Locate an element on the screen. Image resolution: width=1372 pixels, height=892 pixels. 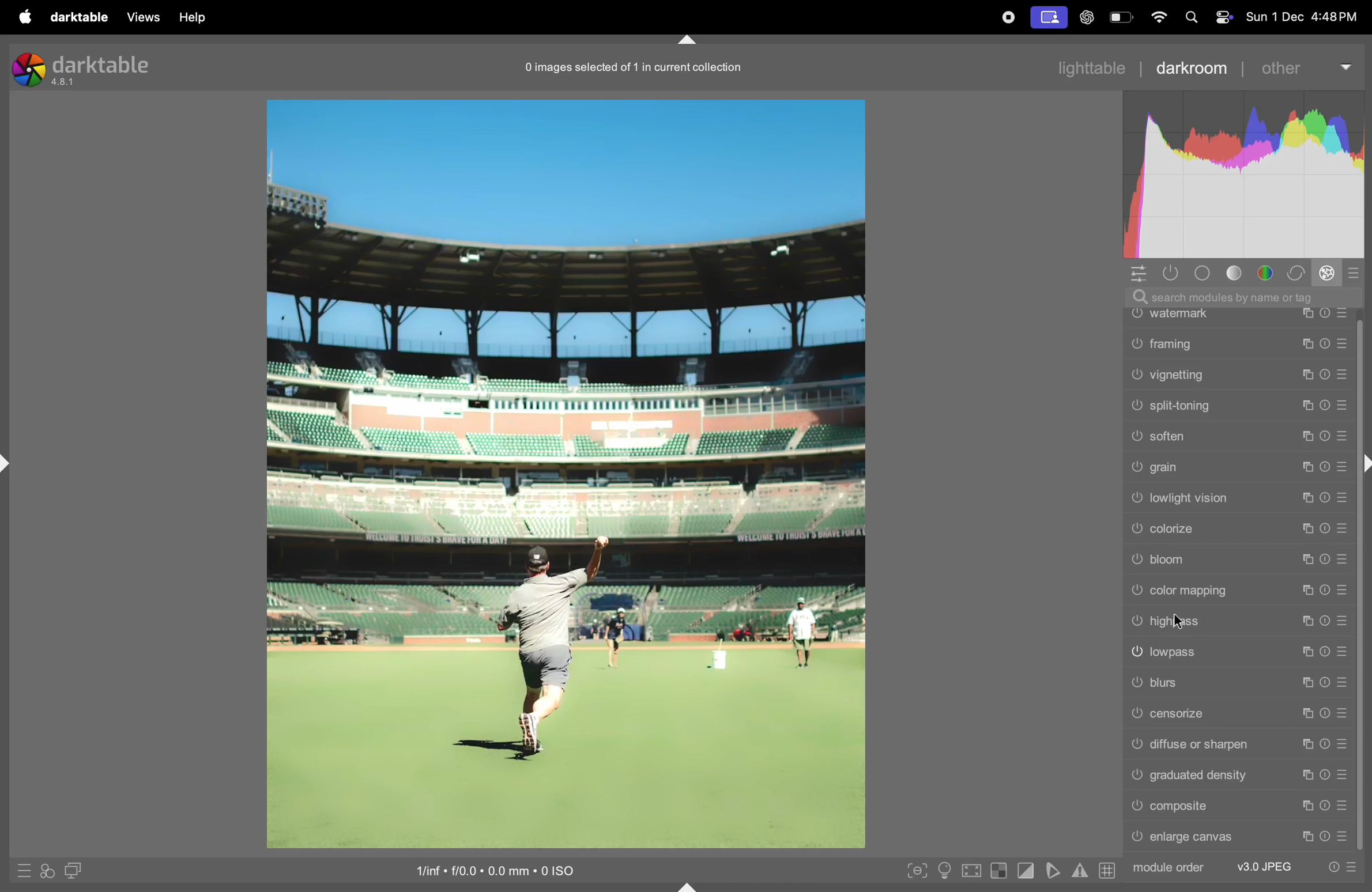
colorize is located at coordinates (1241, 530).